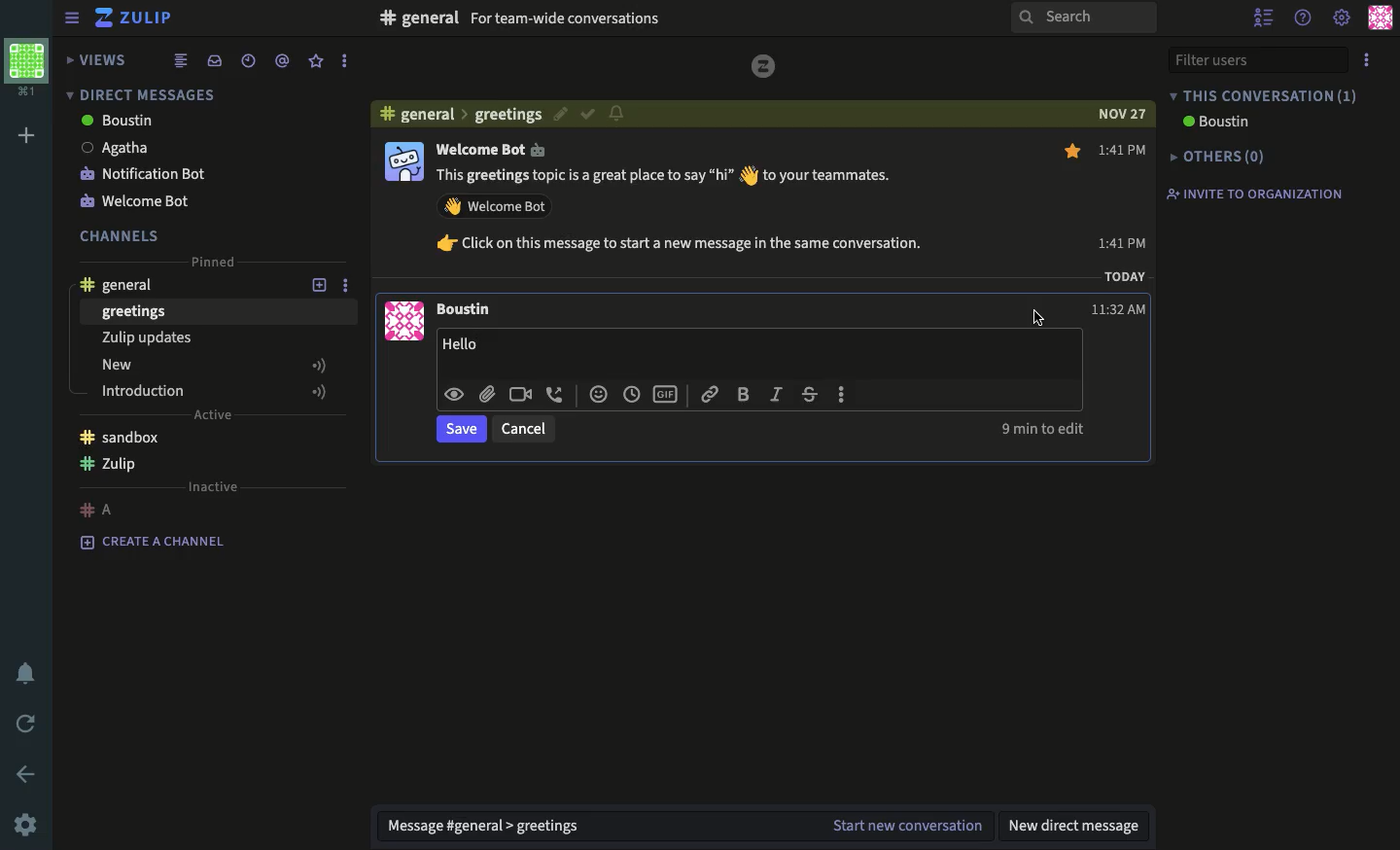  What do you see at coordinates (464, 305) in the screenshot?
I see `Boustin` at bounding box center [464, 305].